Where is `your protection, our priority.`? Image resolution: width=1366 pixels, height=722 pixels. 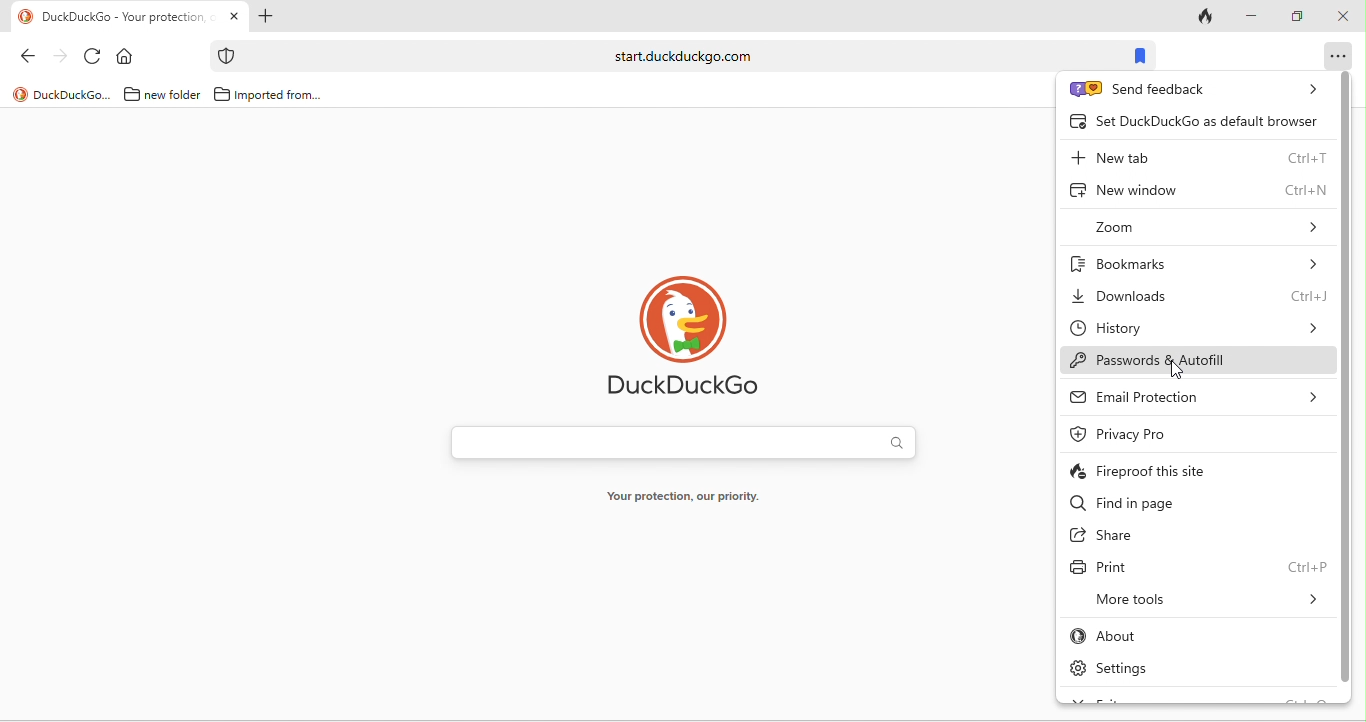 your protection, our priority. is located at coordinates (692, 497).